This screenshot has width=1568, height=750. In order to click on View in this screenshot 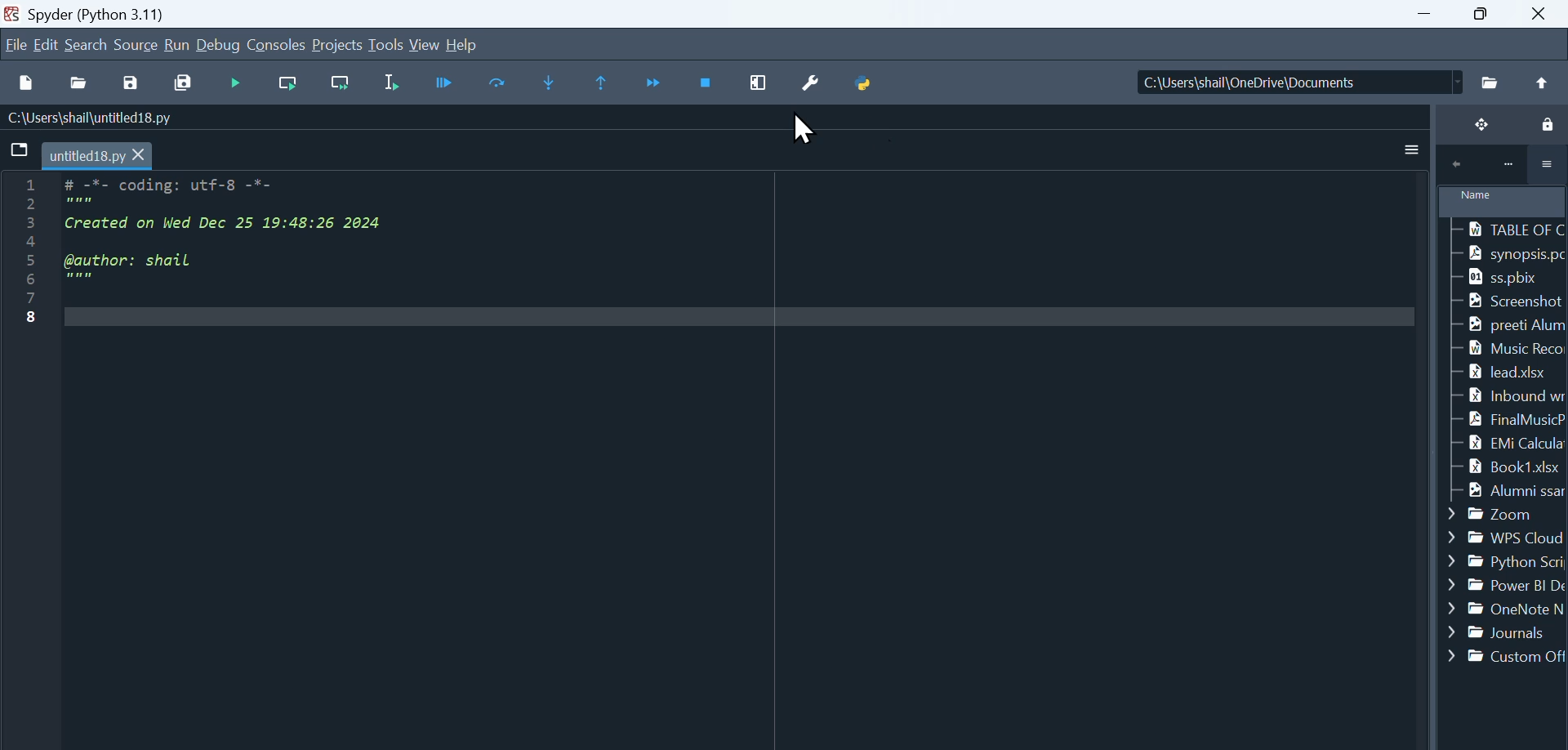, I will do `click(425, 44)`.